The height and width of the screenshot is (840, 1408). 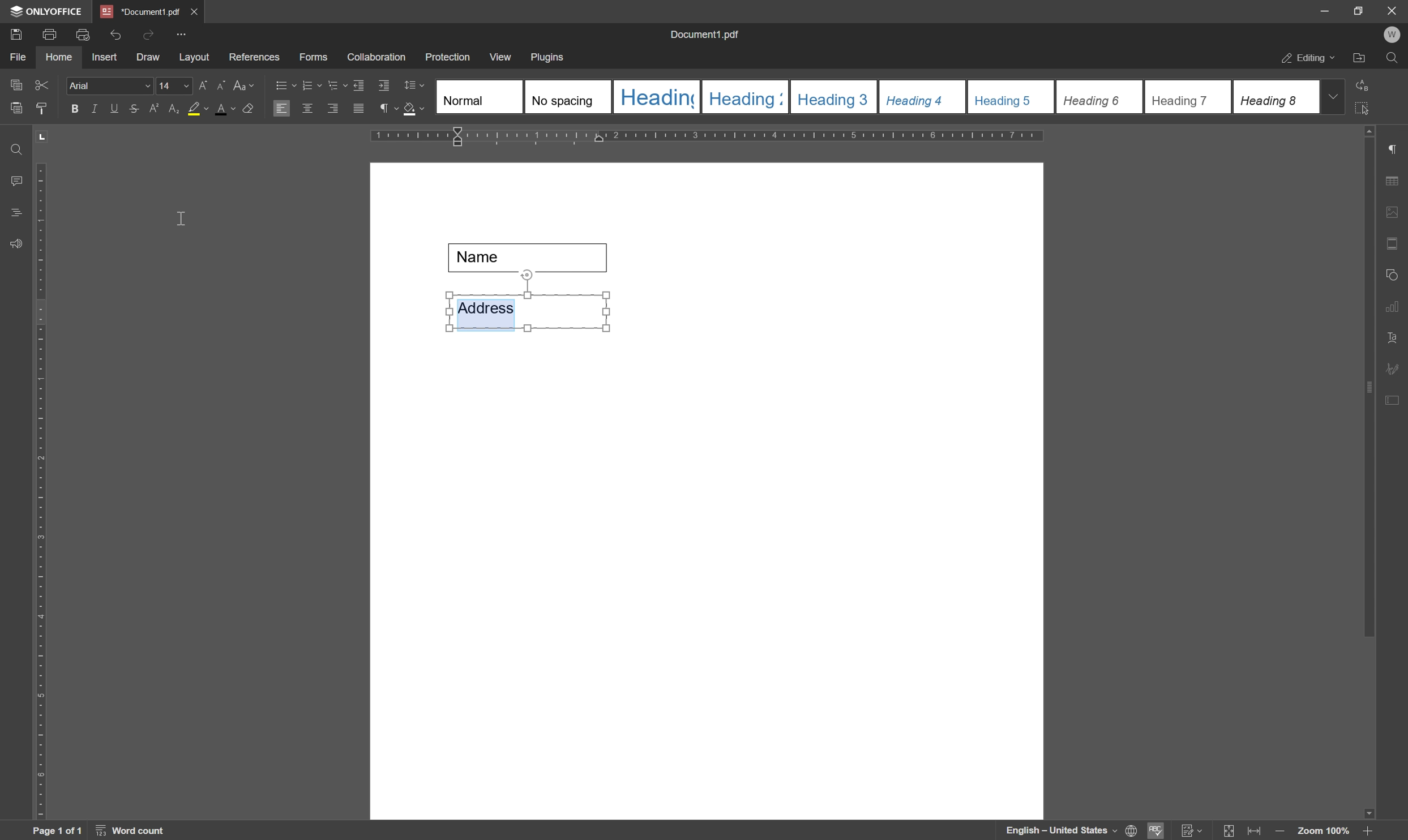 I want to click on Increase indent, so click(x=386, y=87).